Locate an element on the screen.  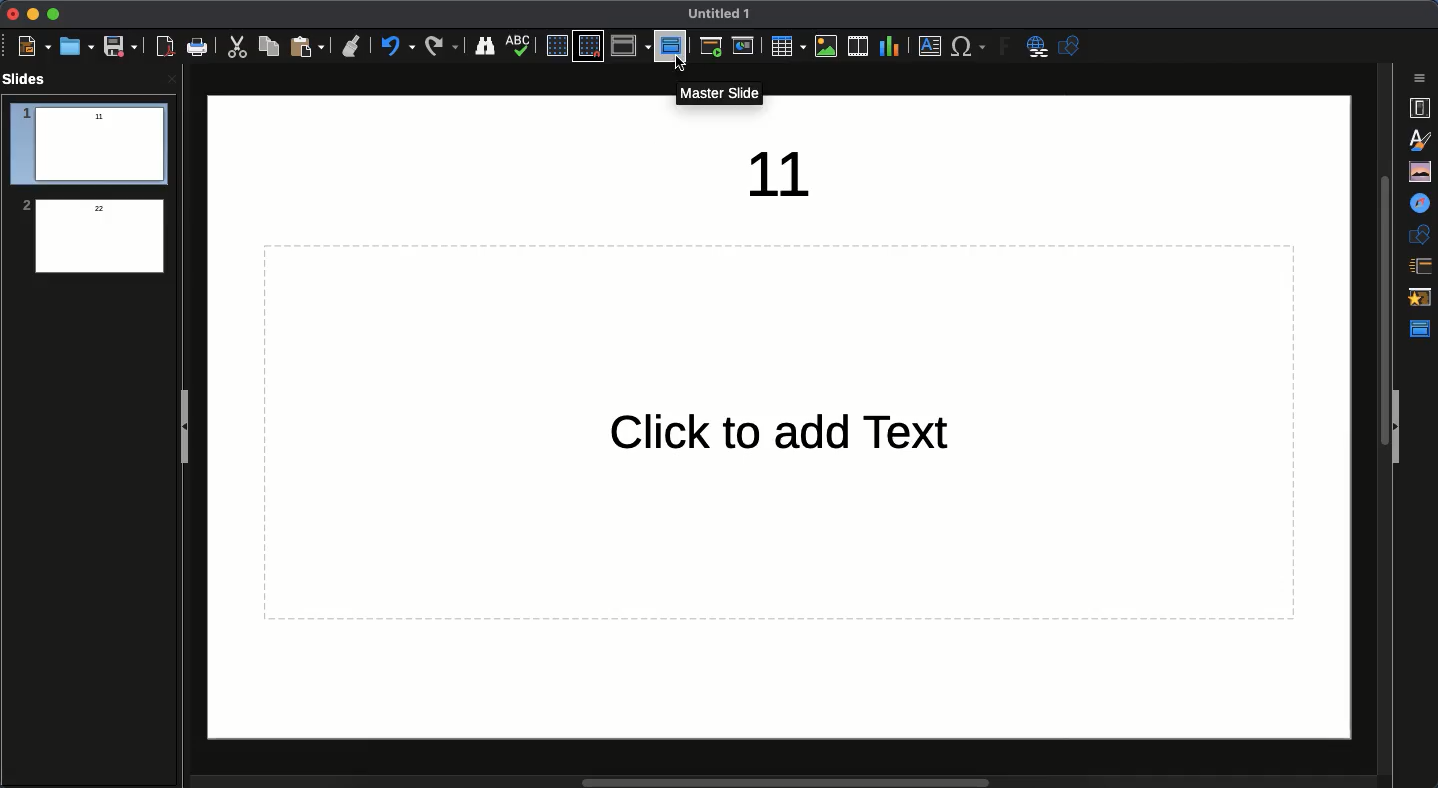
Redo is located at coordinates (442, 46).